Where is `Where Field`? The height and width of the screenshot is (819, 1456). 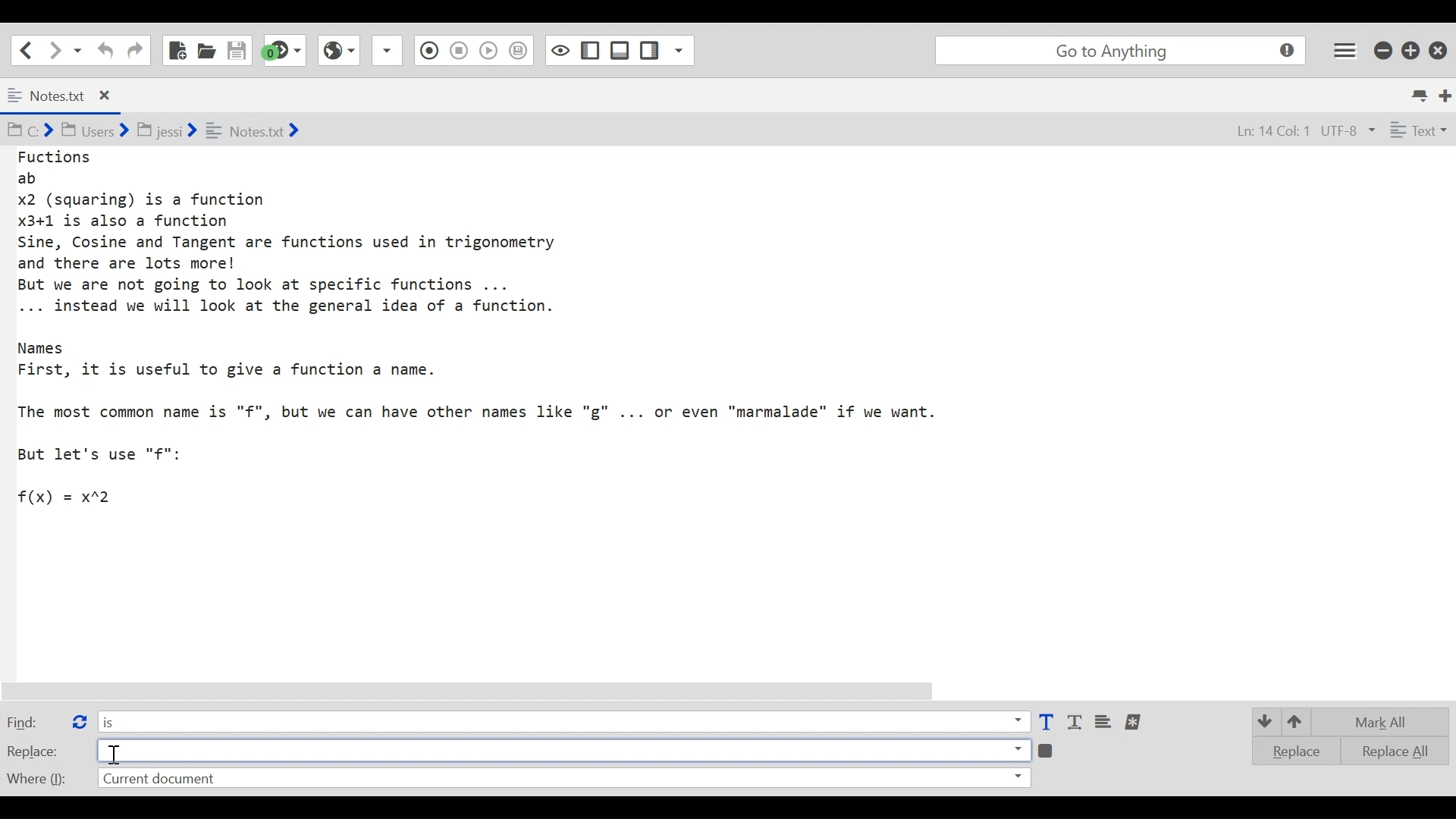
Where Field is located at coordinates (563, 780).